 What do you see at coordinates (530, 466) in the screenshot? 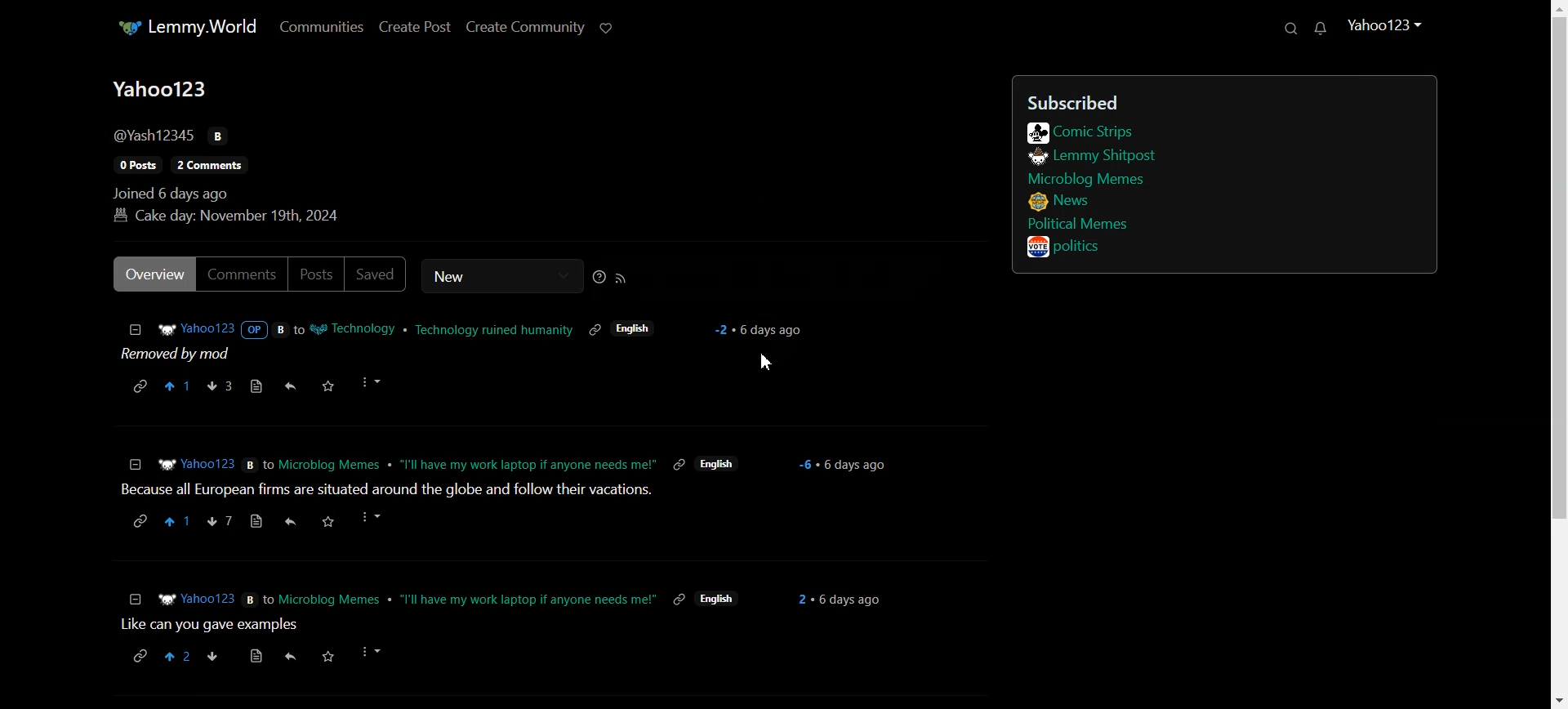
I see `I'll have my work laptop if anyone needs me!”` at bounding box center [530, 466].